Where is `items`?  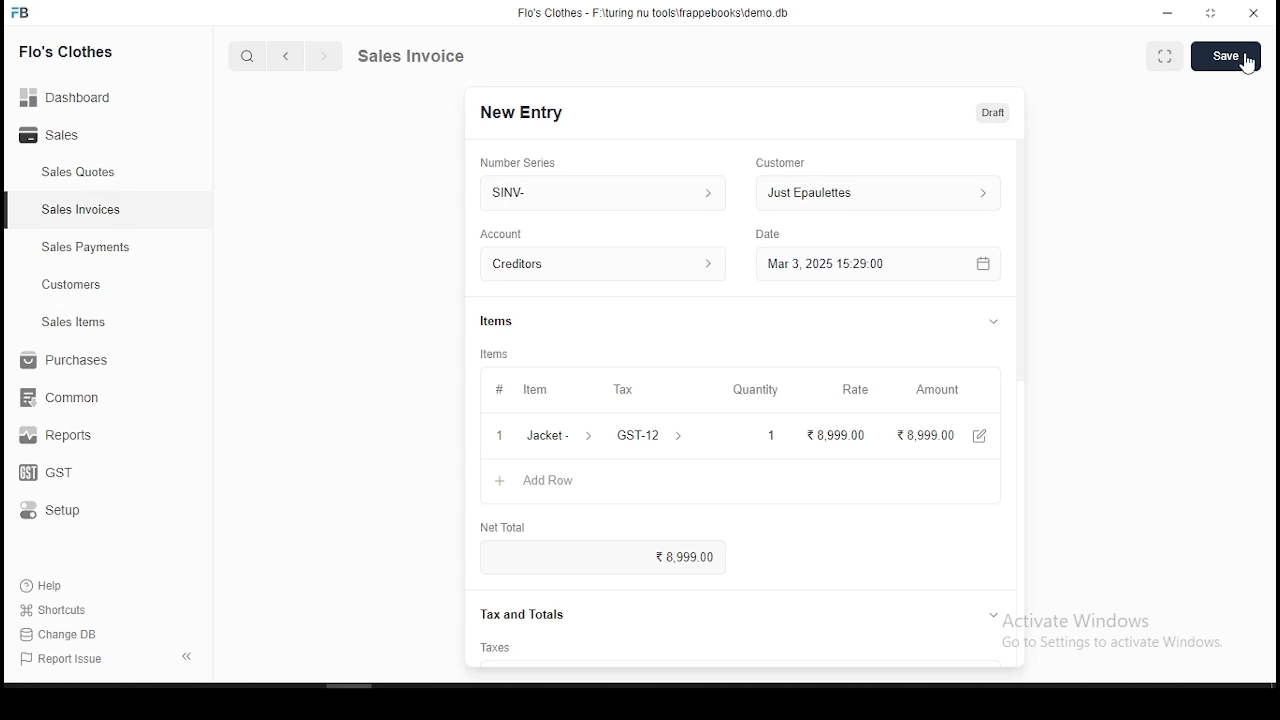
items is located at coordinates (498, 353).